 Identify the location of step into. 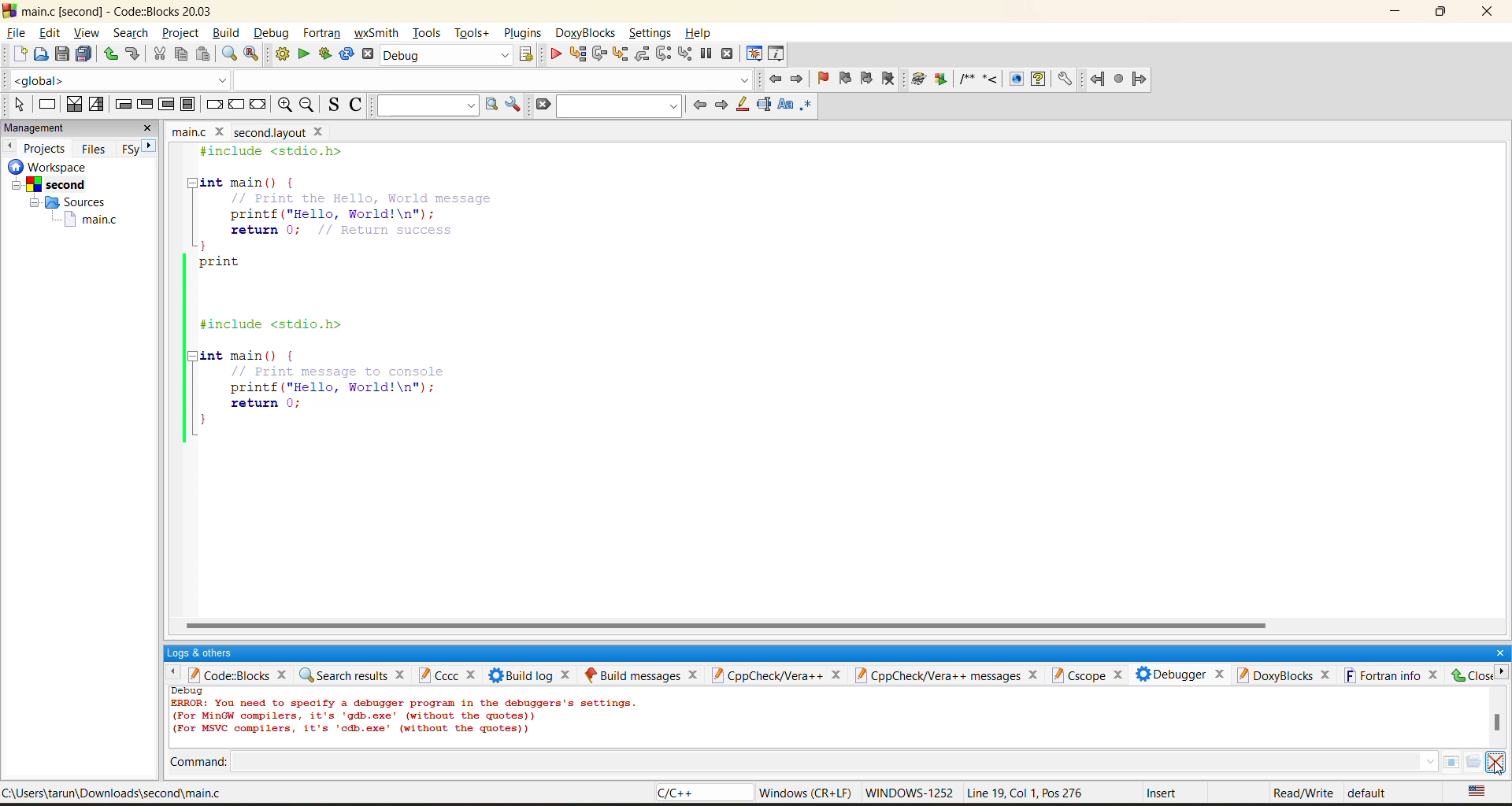
(621, 54).